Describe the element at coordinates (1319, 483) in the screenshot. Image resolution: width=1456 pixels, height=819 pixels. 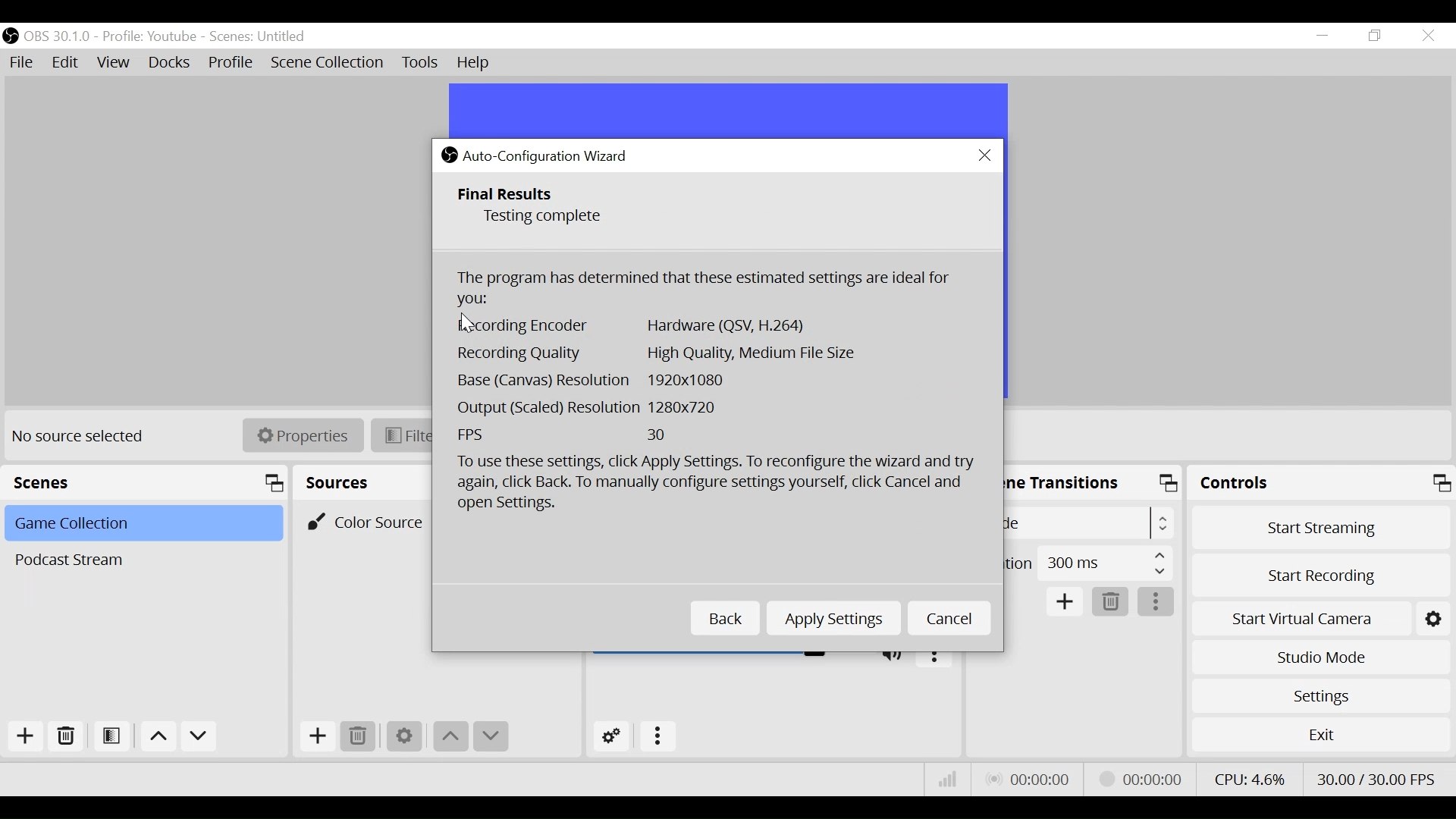
I see `Controls` at that location.